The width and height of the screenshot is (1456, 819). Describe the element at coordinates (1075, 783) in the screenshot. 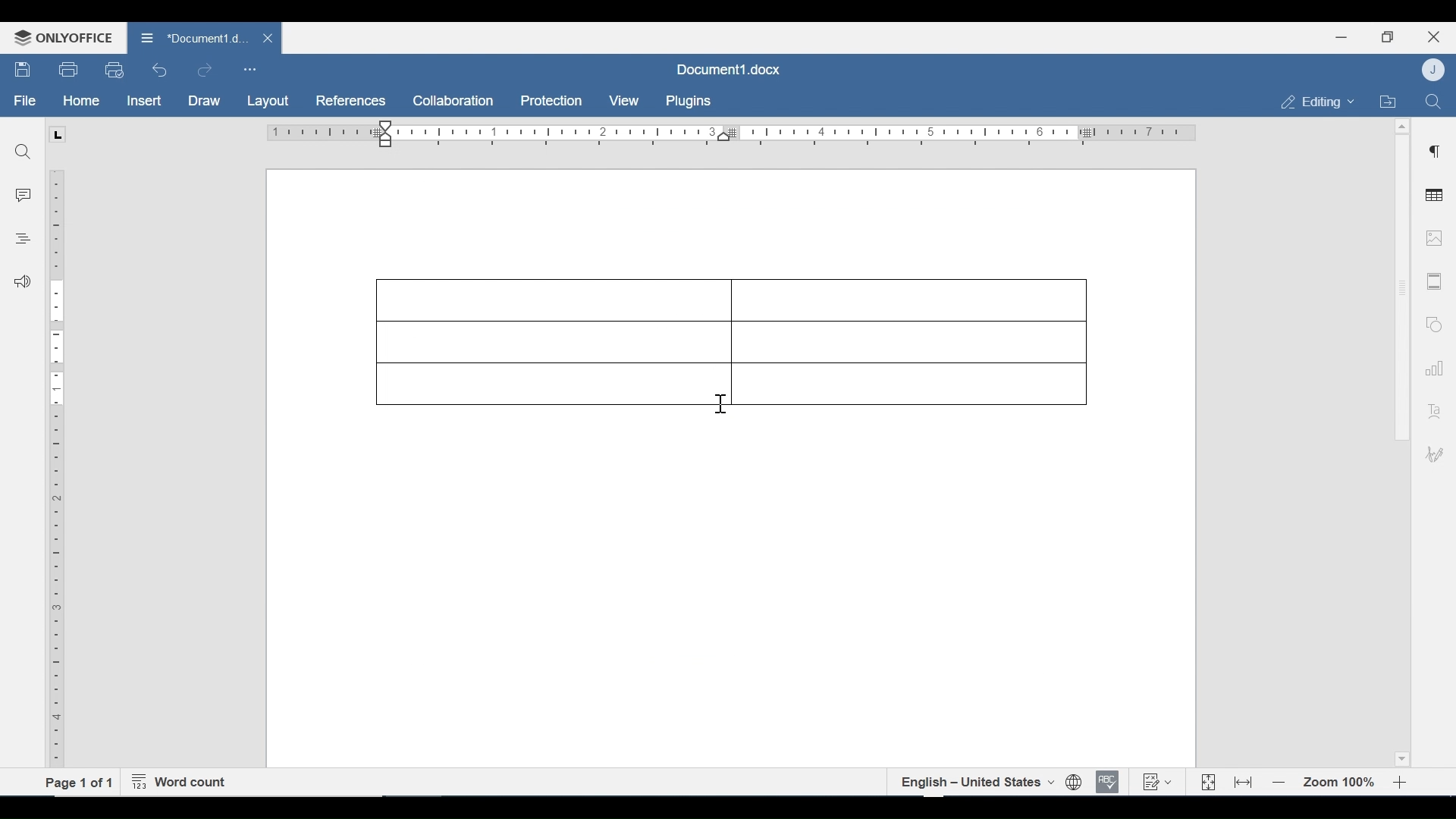

I see `Set document language` at that location.